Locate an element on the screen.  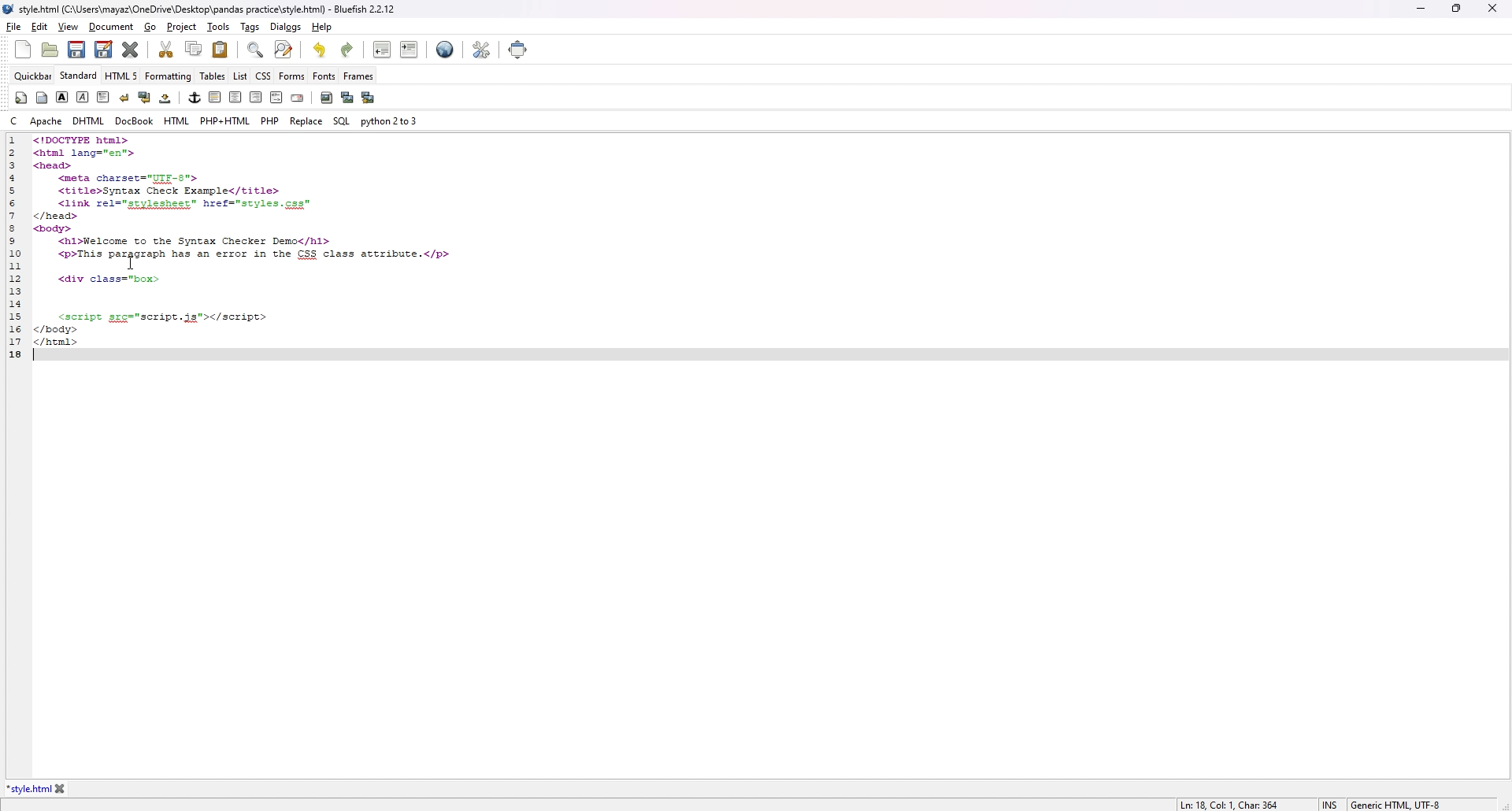
close current tab is located at coordinates (130, 50).